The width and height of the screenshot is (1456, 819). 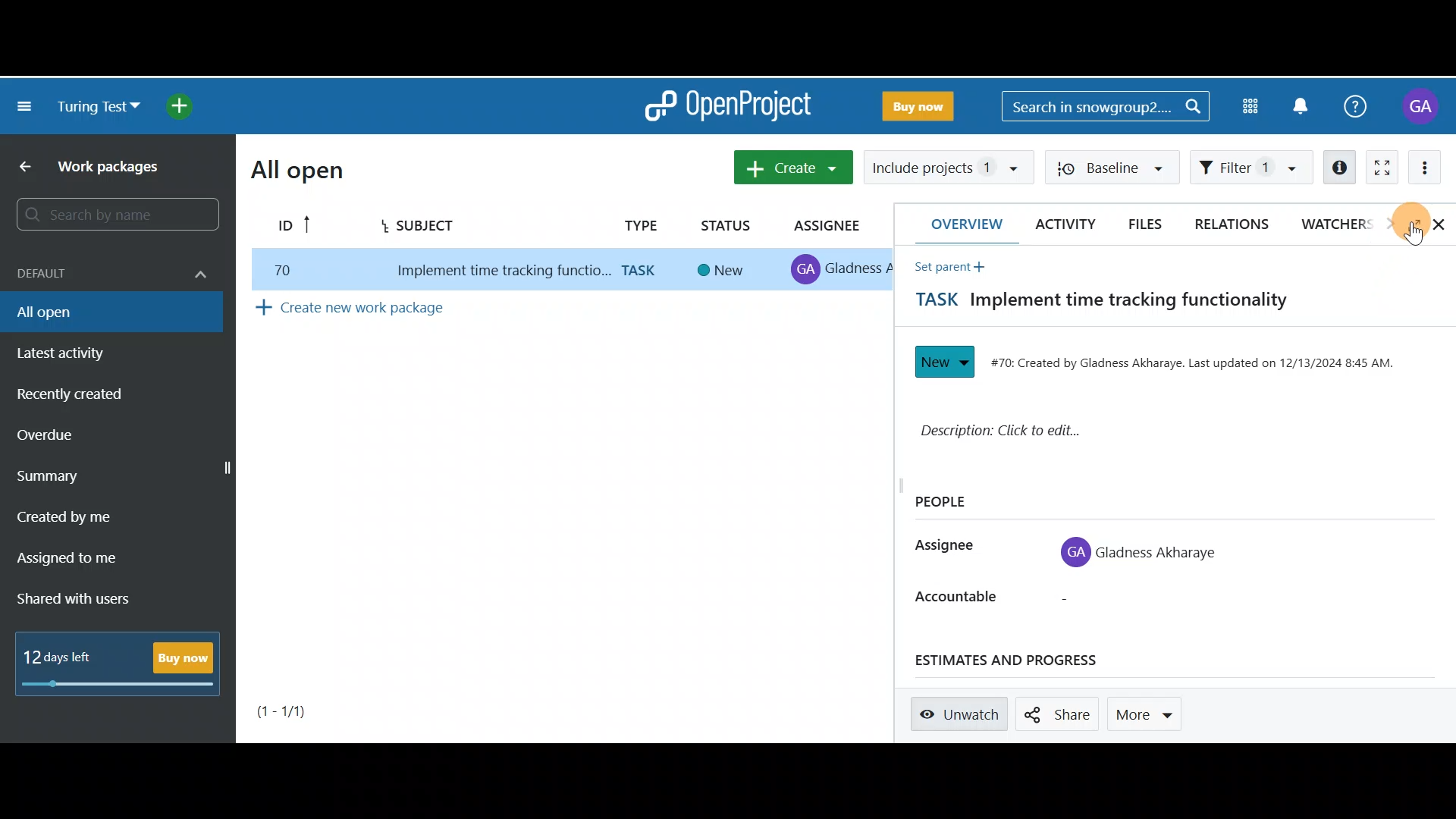 I want to click on TASK, so click(x=927, y=302).